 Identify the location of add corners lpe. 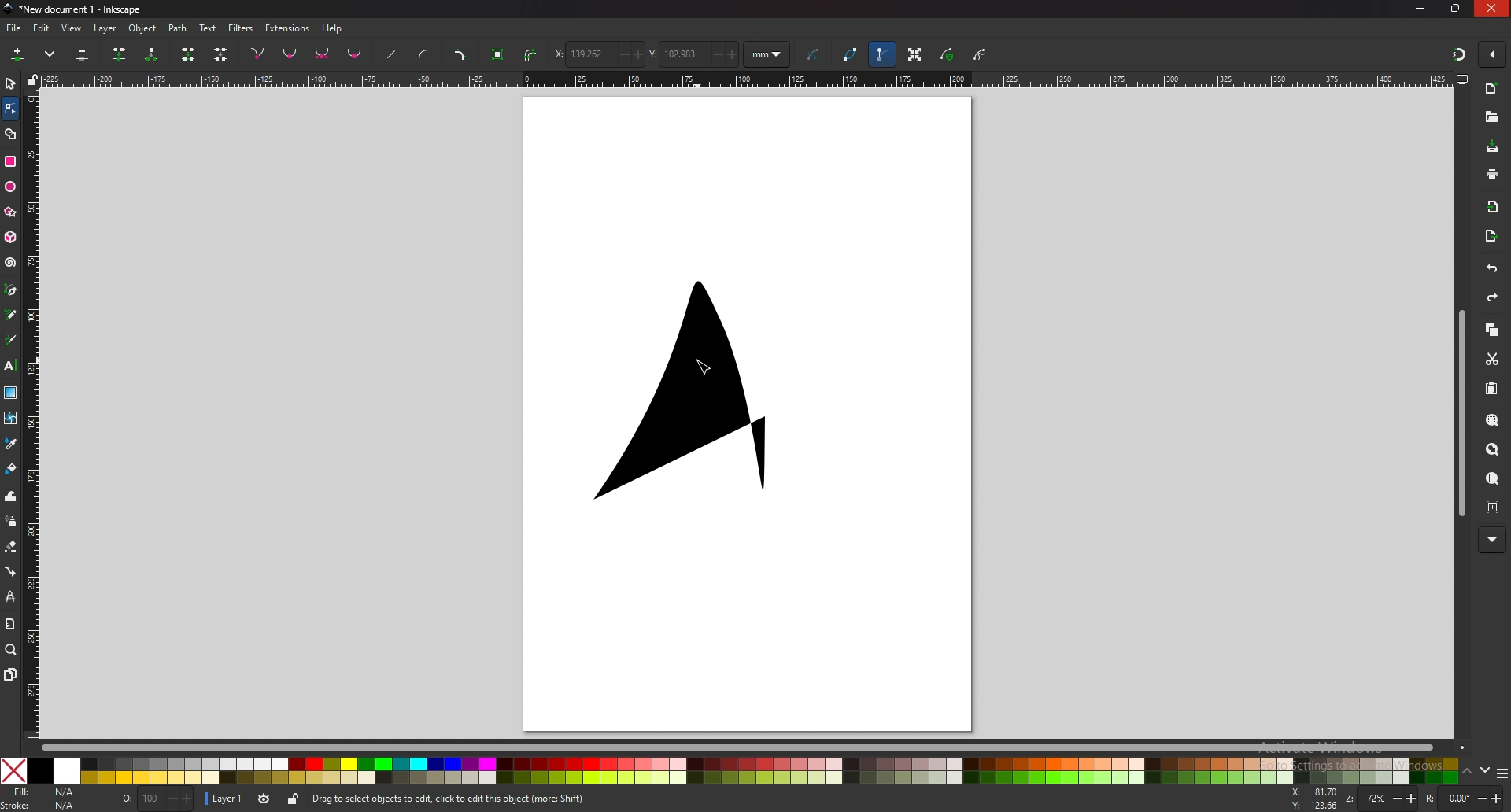
(460, 55).